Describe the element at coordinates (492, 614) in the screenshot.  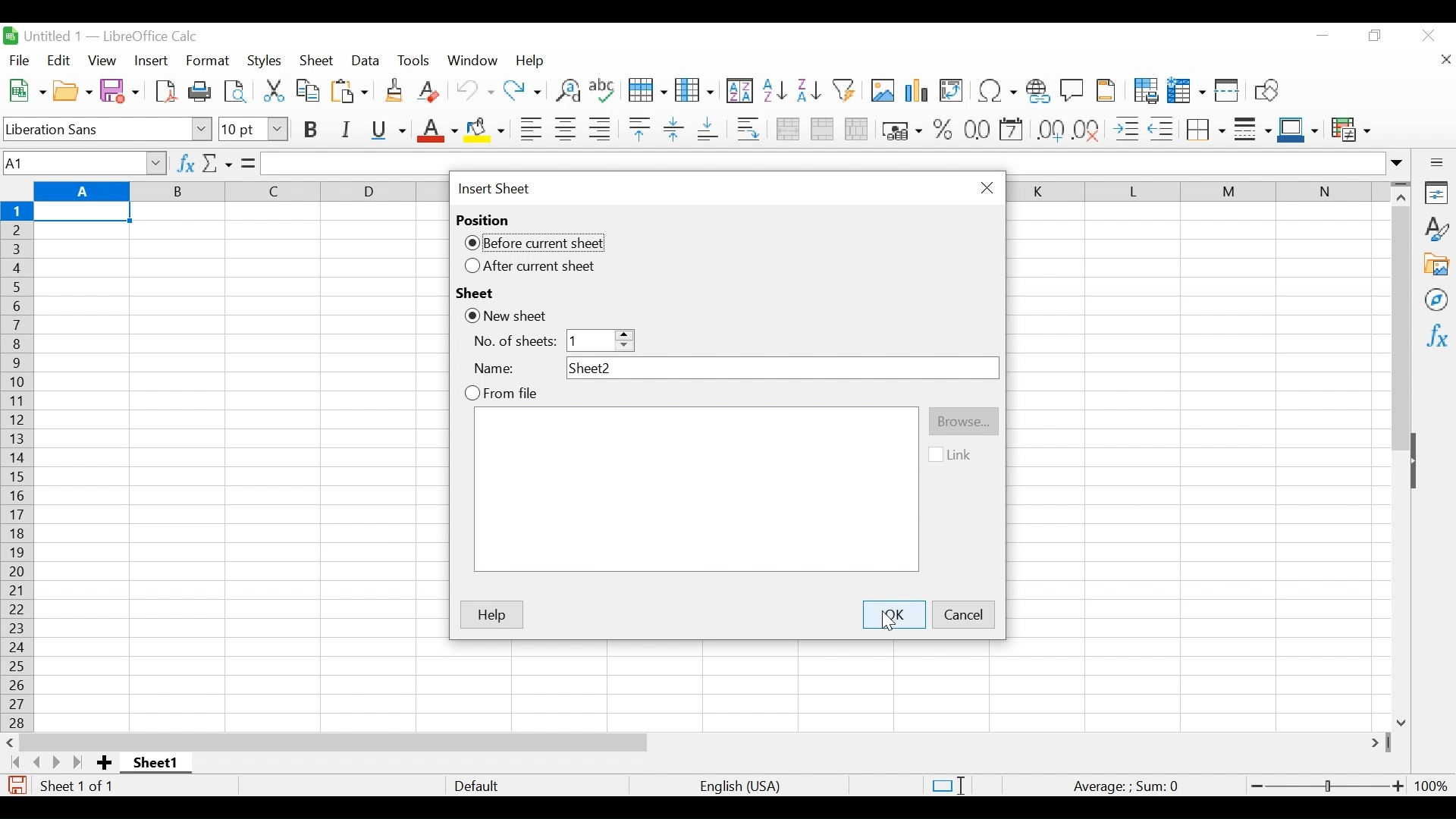
I see `Help` at that location.